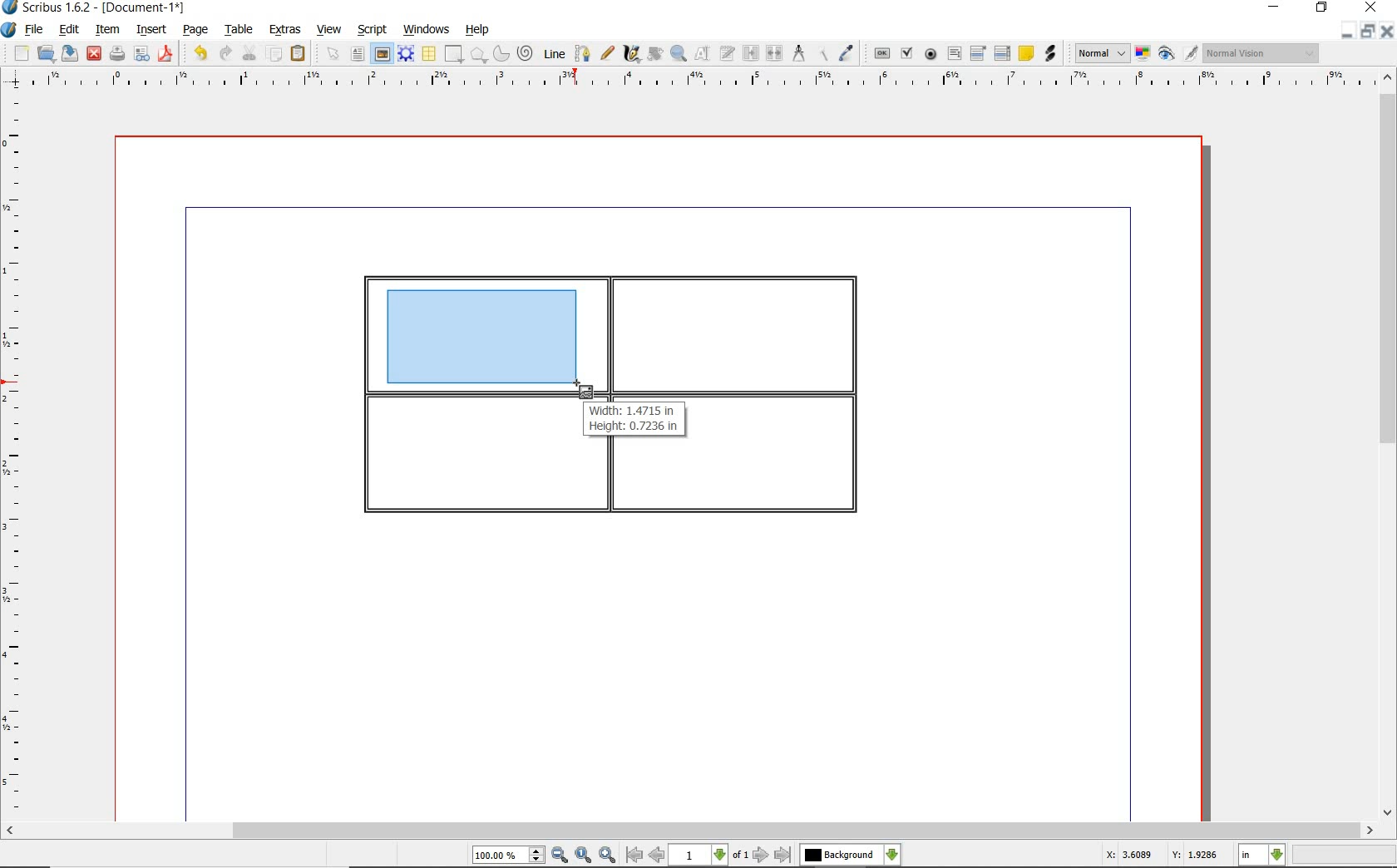 This screenshot has height=868, width=1397. I want to click on select, so click(336, 57).